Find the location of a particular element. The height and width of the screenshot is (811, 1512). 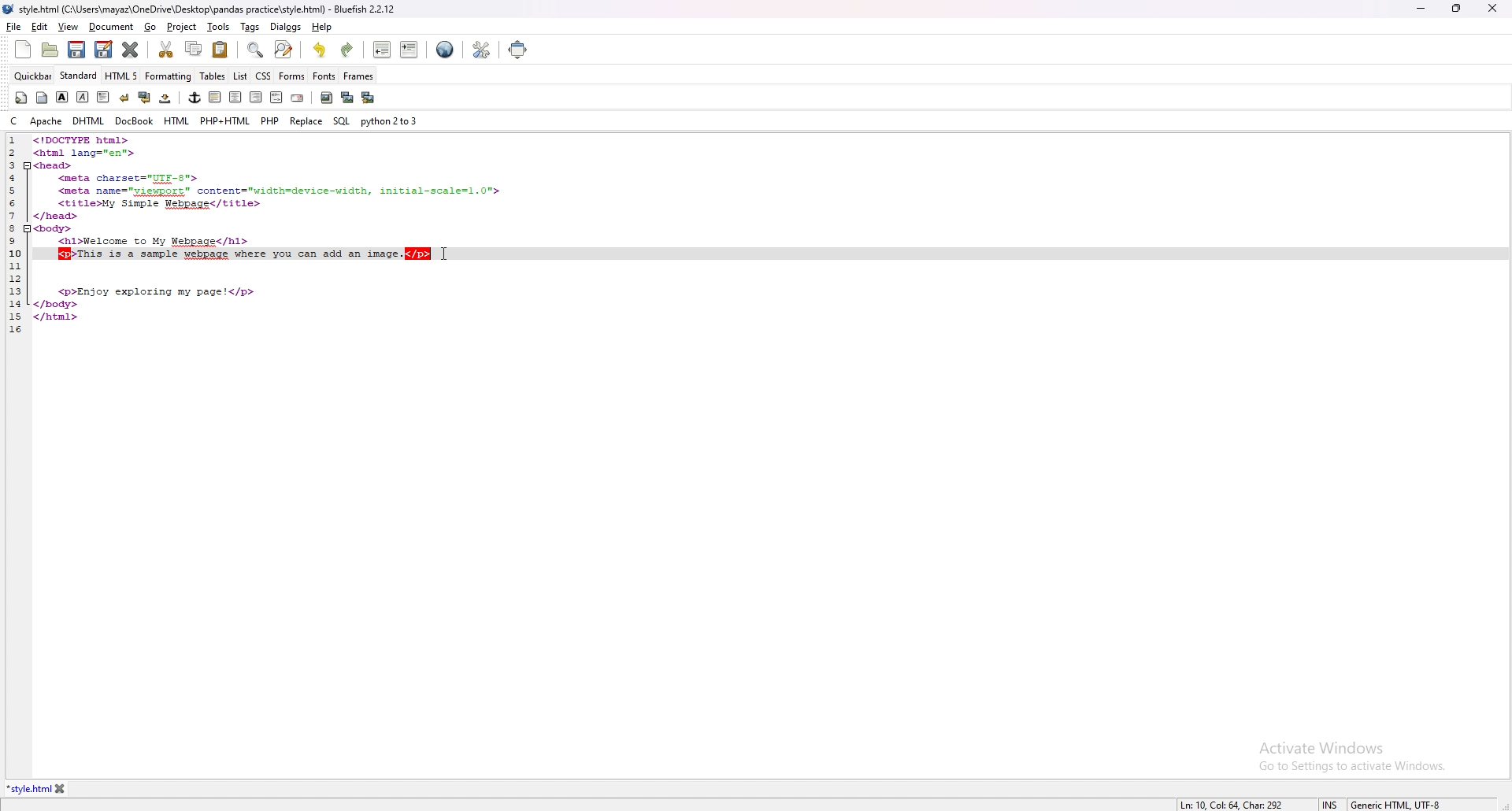

find bar is located at coordinates (256, 50).